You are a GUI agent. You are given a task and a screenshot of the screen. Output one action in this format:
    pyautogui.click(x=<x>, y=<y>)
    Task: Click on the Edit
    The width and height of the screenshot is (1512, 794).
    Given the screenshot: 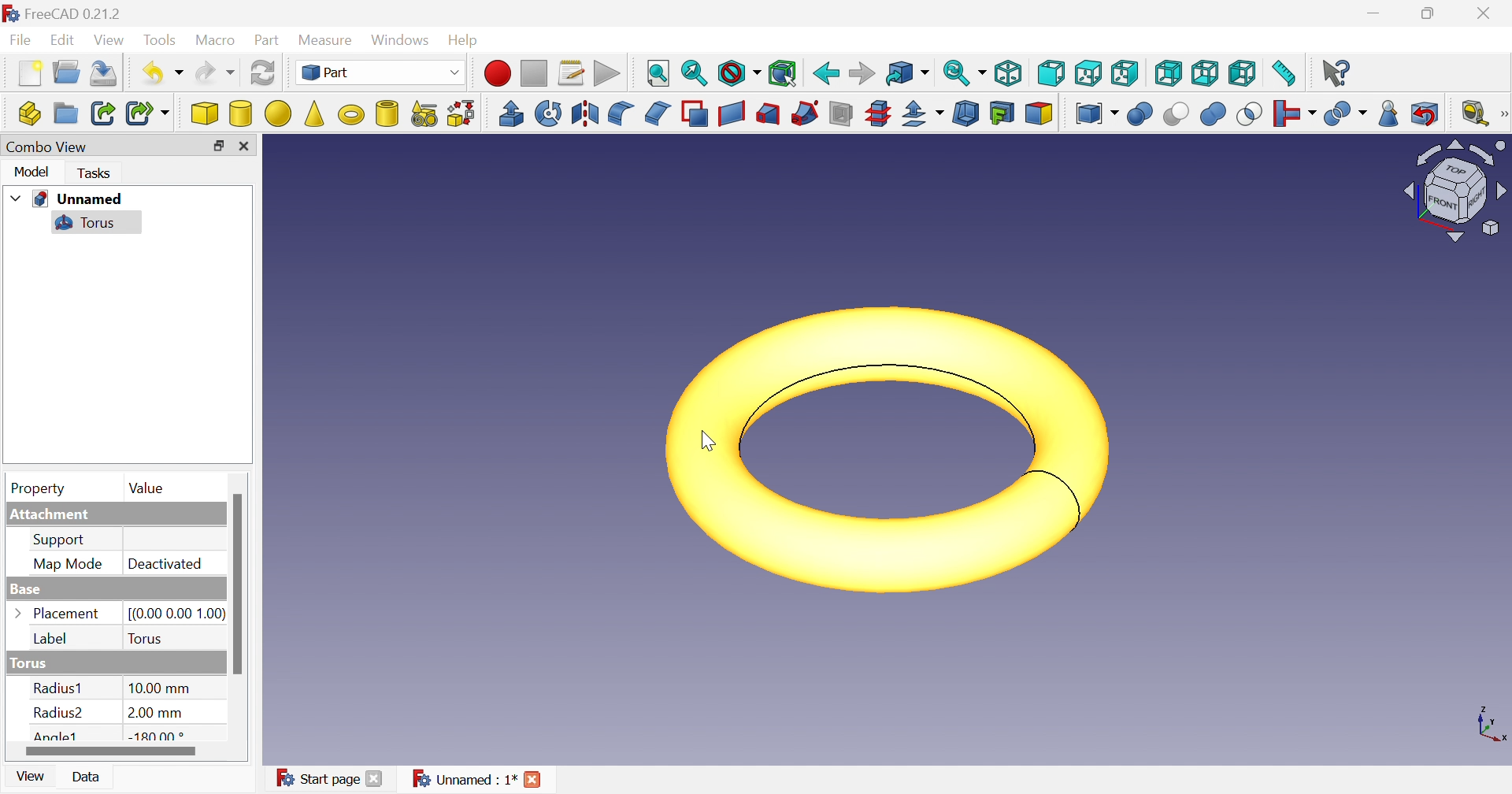 What is the action you would take?
    pyautogui.click(x=64, y=40)
    